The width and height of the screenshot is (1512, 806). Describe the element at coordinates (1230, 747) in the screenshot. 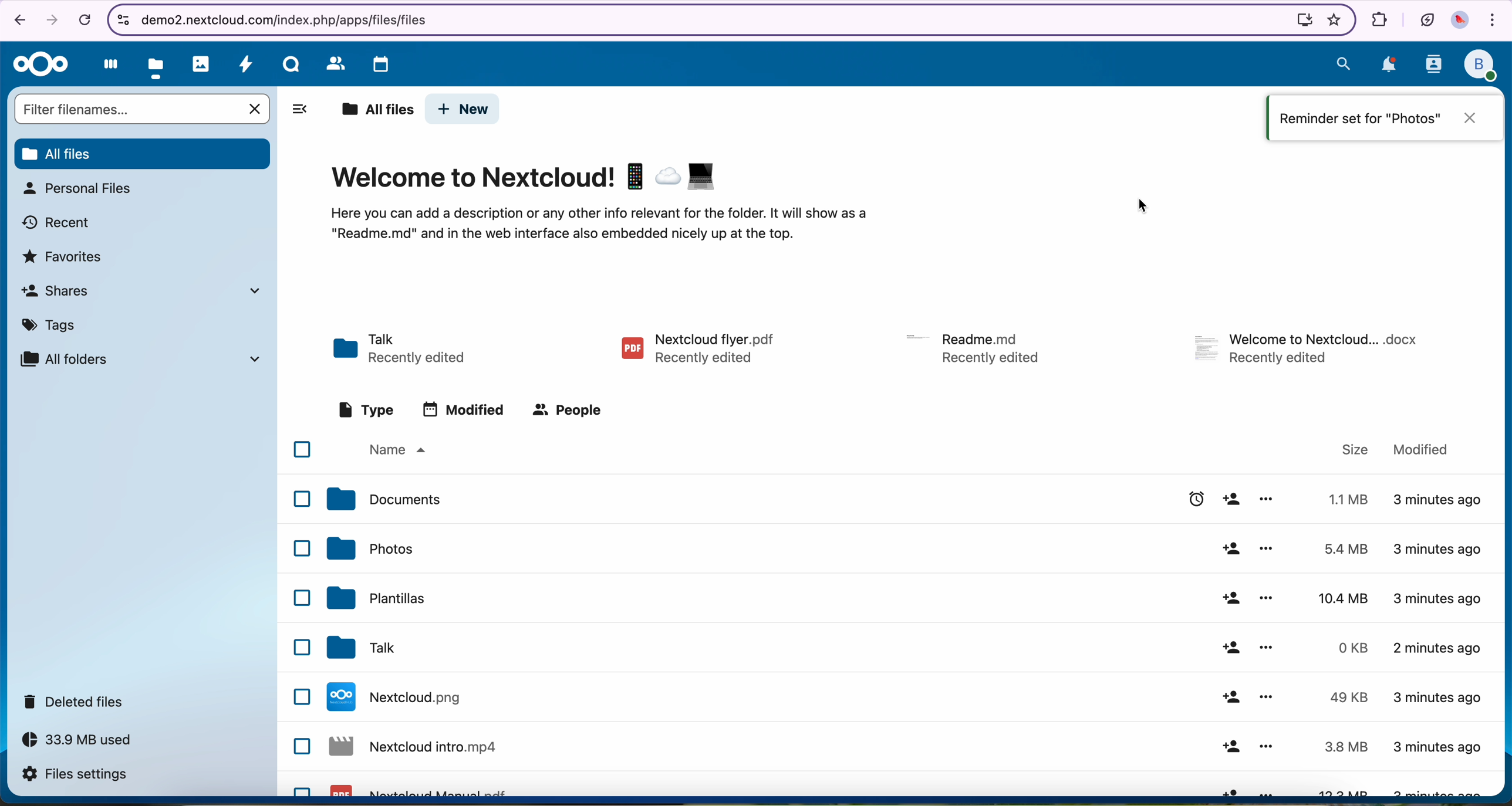

I see `share` at that location.